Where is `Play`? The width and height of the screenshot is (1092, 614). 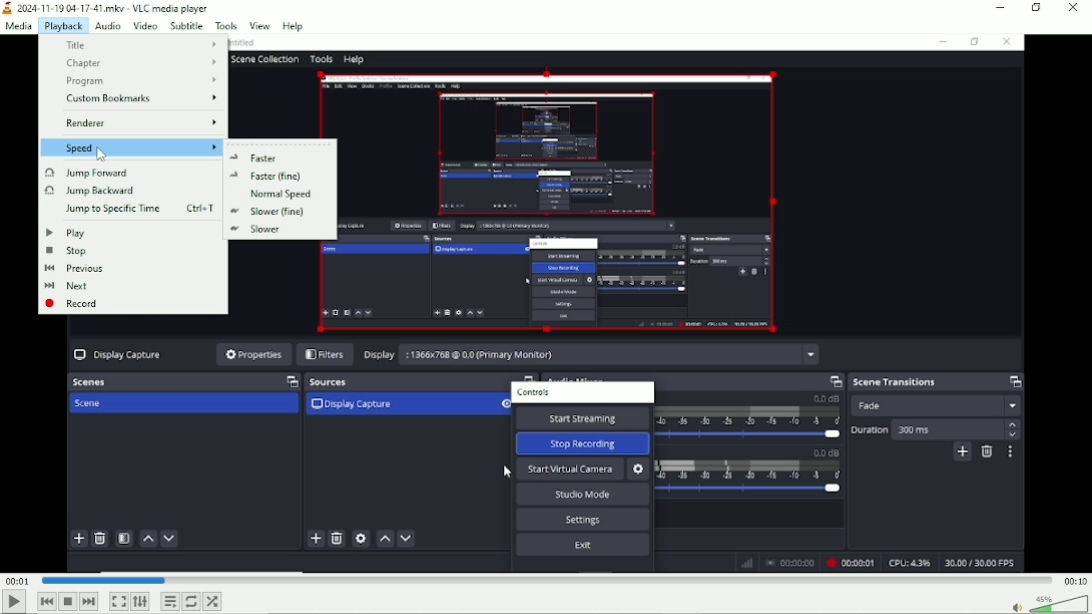
Play is located at coordinates (13, 605).